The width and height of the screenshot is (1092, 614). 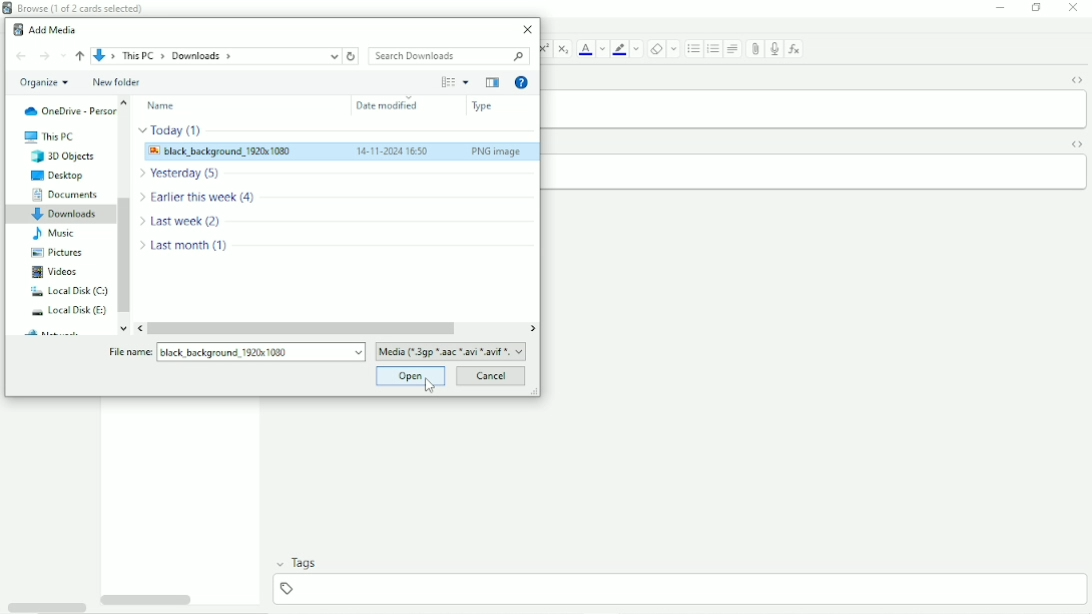 What do you see at coordinates (655, 50) in the screenshot?
I see `Remove formatting` at bounding box center [655, 50].